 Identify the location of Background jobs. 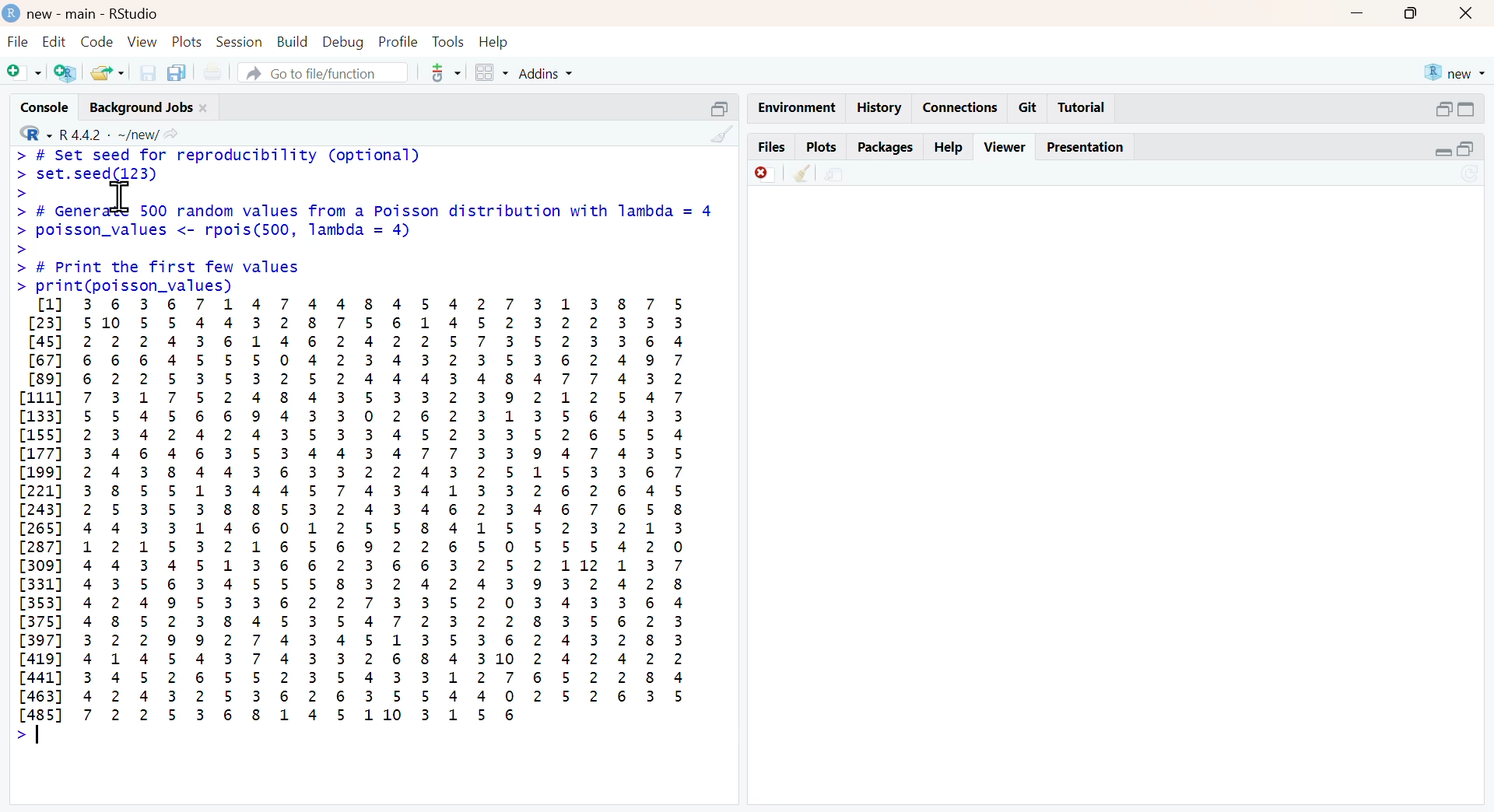
(142, 110).